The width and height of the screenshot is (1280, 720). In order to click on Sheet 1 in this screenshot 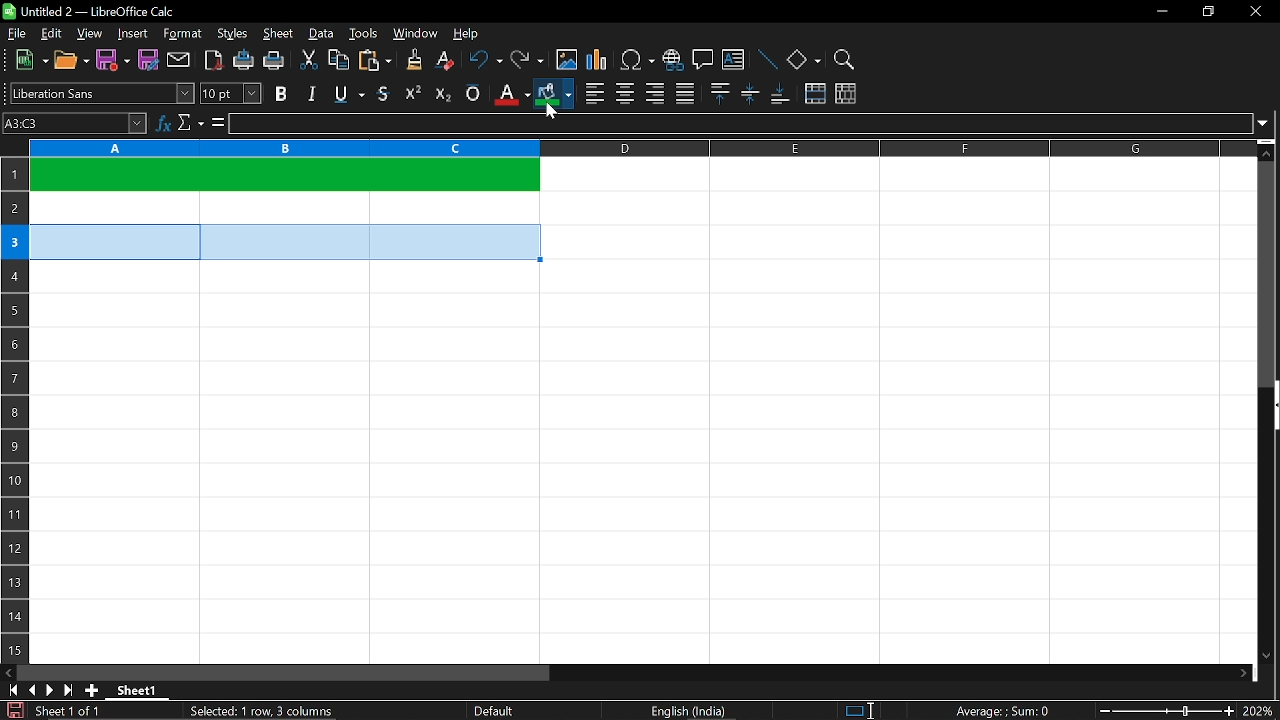, I will do `click(137, 690)`.